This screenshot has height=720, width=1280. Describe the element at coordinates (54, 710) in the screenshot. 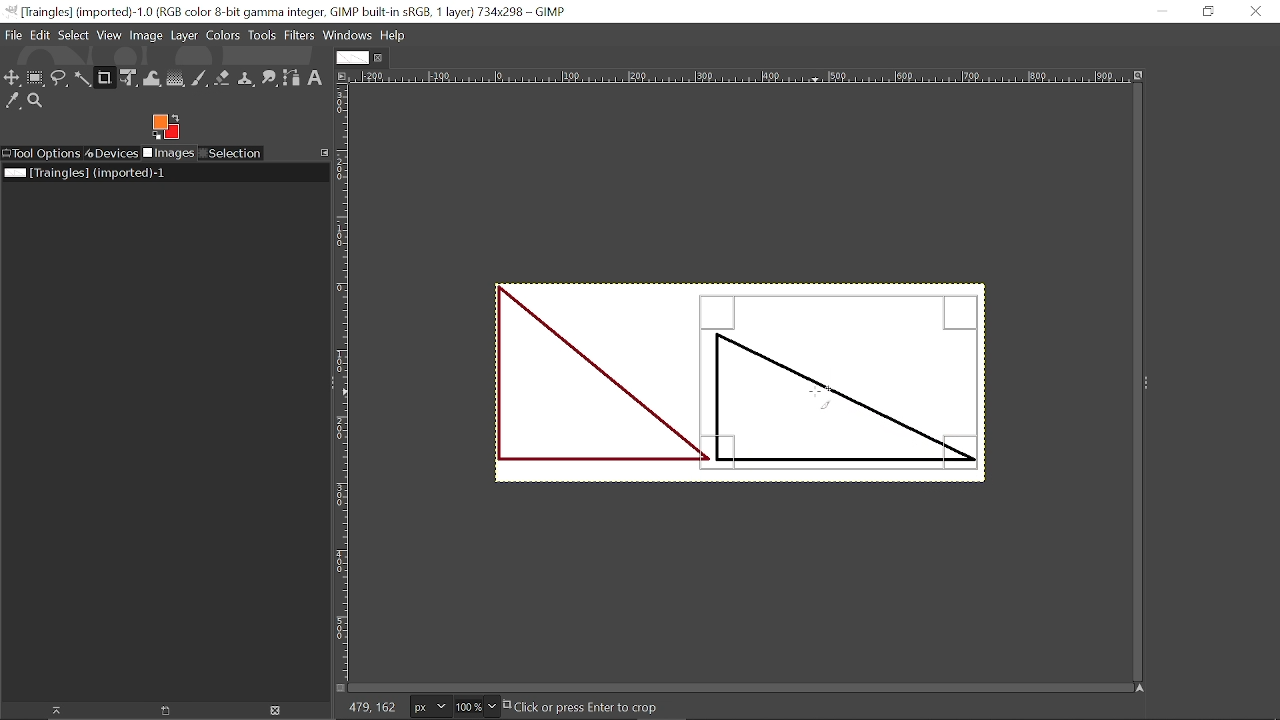

I see `Raise this image display` at that location.